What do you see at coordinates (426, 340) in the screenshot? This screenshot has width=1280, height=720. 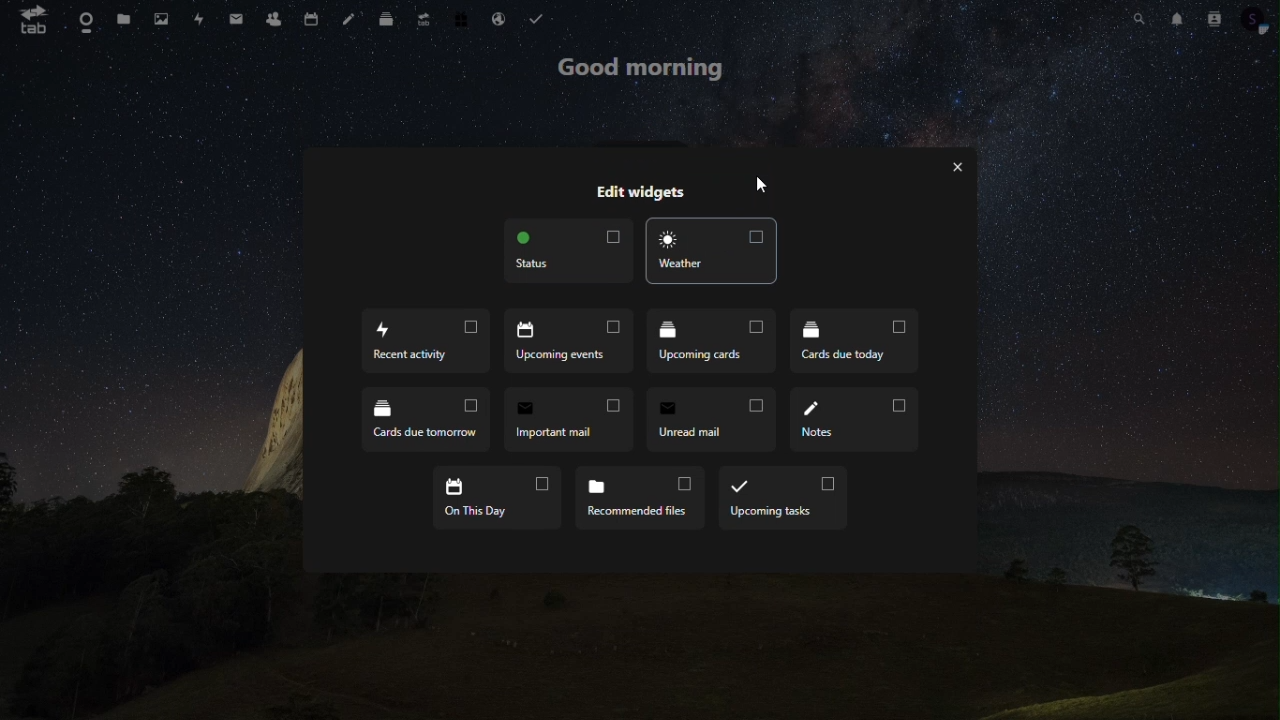 I see `recent activity` at bounding box center [426, 340].